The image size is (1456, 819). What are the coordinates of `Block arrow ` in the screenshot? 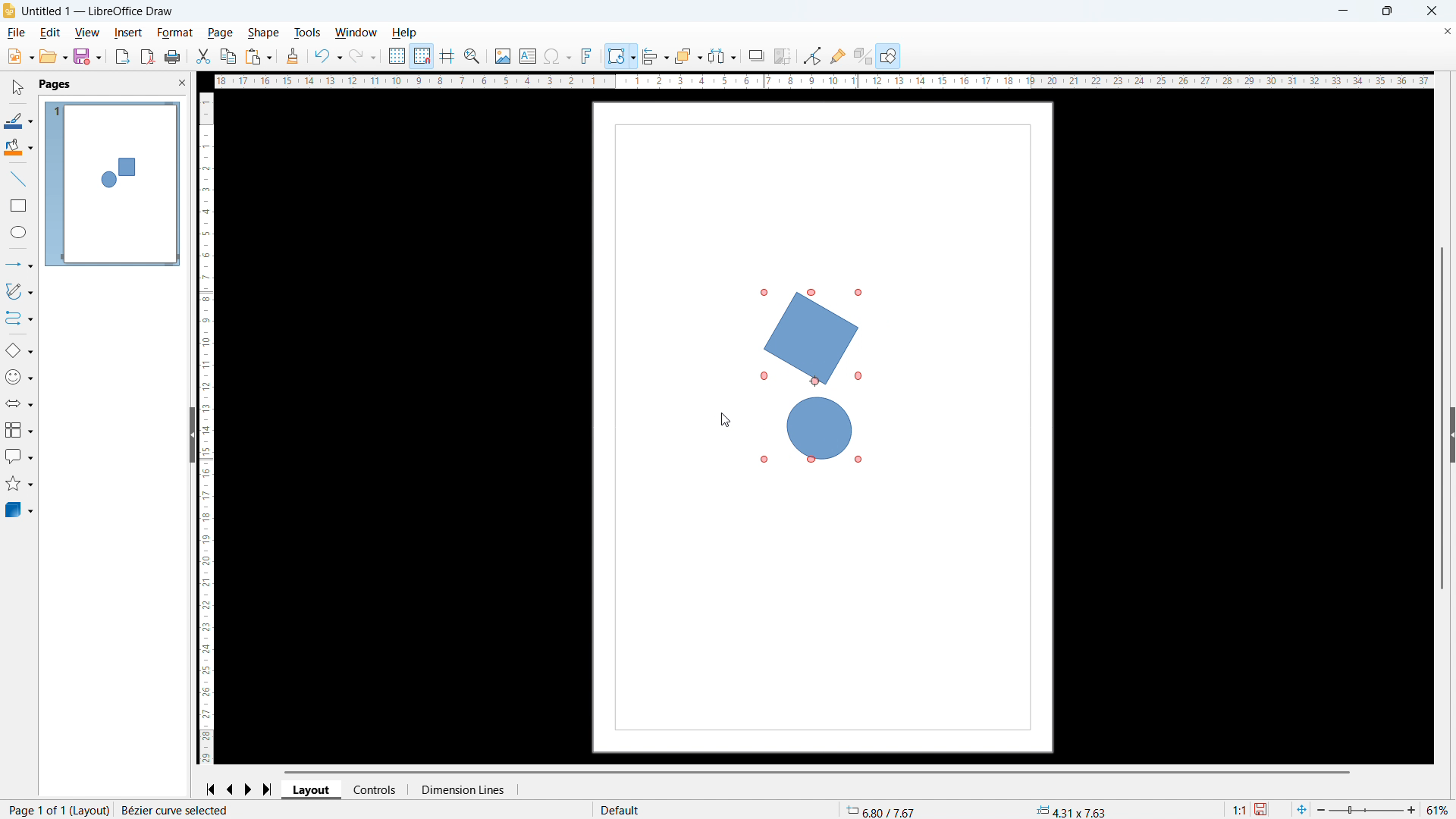 It's located at (19, 402).